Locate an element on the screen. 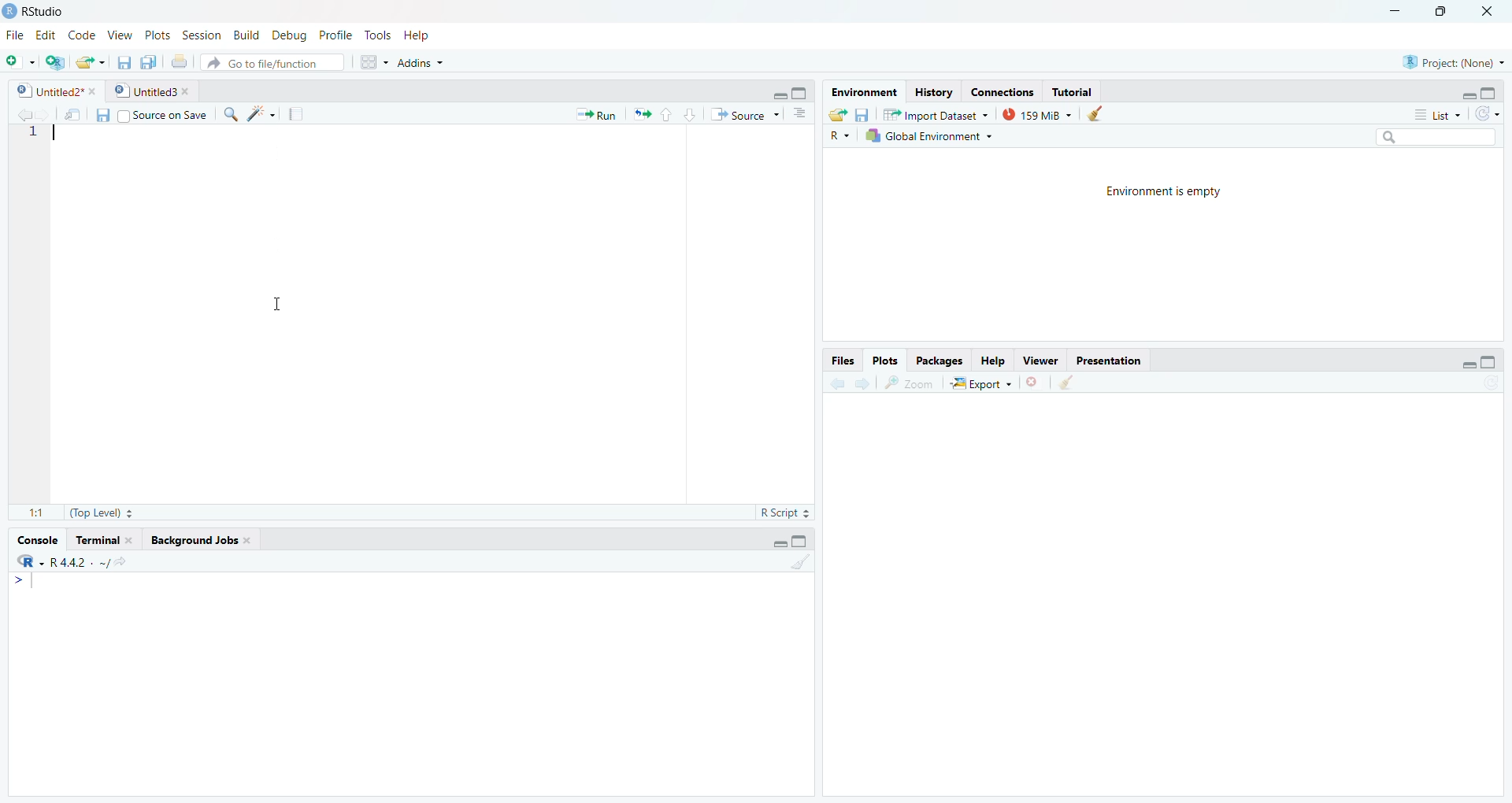 The width and height of the screenshot is (1512, 803). Environment is located at coordinates (864, 92).